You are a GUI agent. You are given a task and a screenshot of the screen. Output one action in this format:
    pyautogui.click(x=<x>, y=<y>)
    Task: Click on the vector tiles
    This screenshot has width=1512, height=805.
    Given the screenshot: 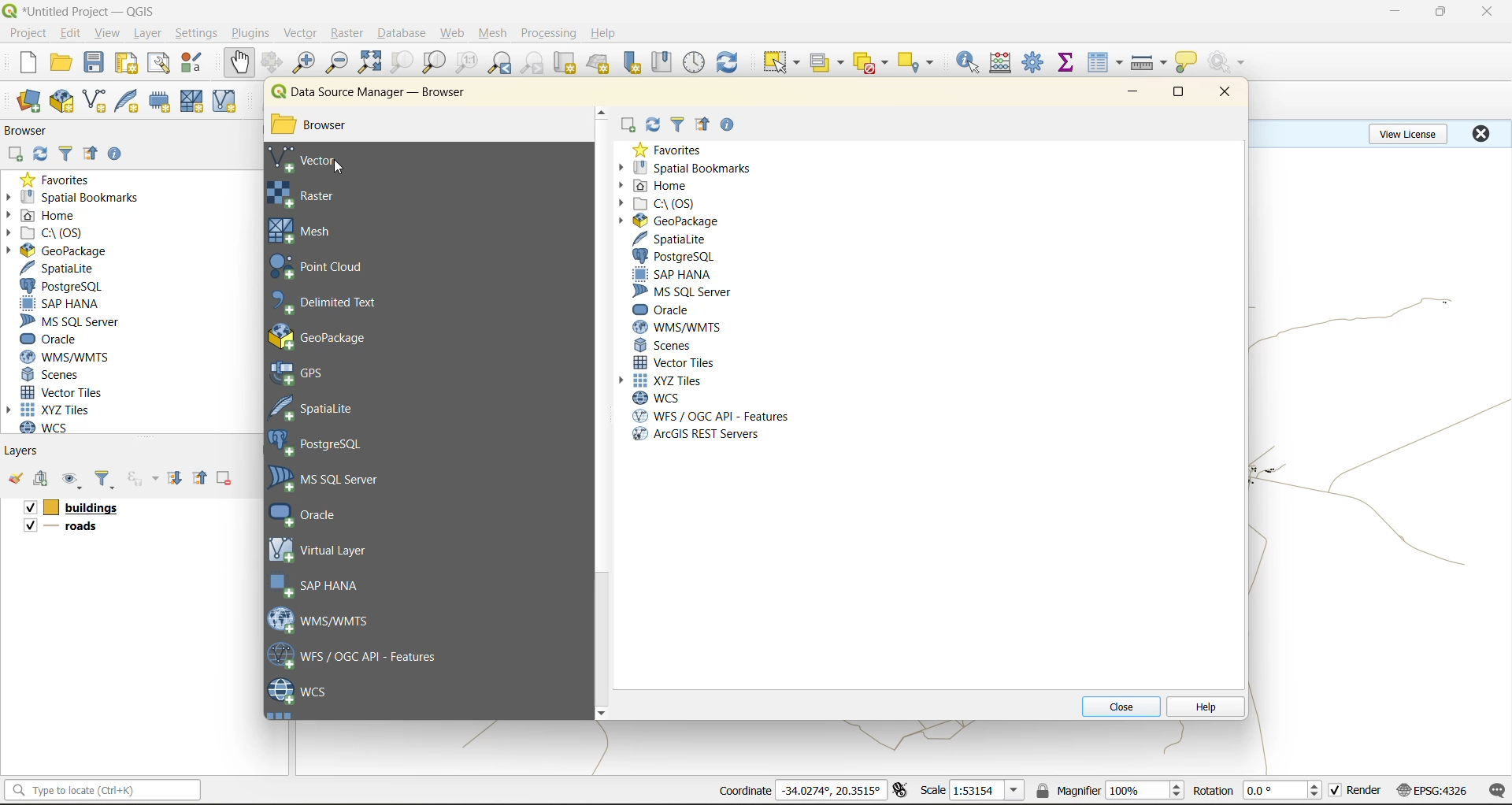 What is the action you would take?
    pyautogui.click(x=65, y=391)
    